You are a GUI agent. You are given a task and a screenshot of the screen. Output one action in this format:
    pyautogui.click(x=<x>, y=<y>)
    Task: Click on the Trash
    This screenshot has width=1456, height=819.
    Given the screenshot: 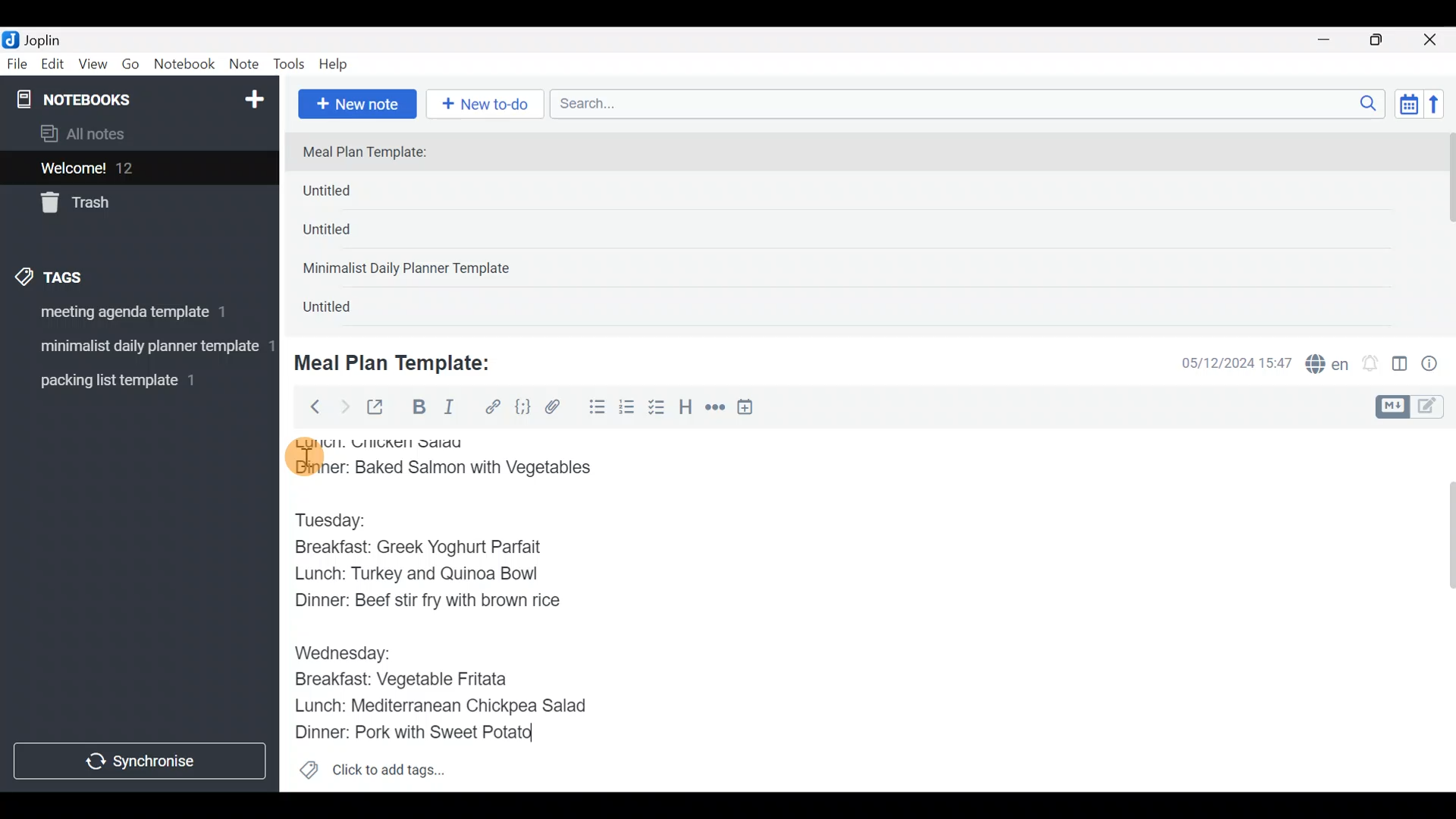 What is the action you would take?
    pyautogui.click(x=130, y=204)
    